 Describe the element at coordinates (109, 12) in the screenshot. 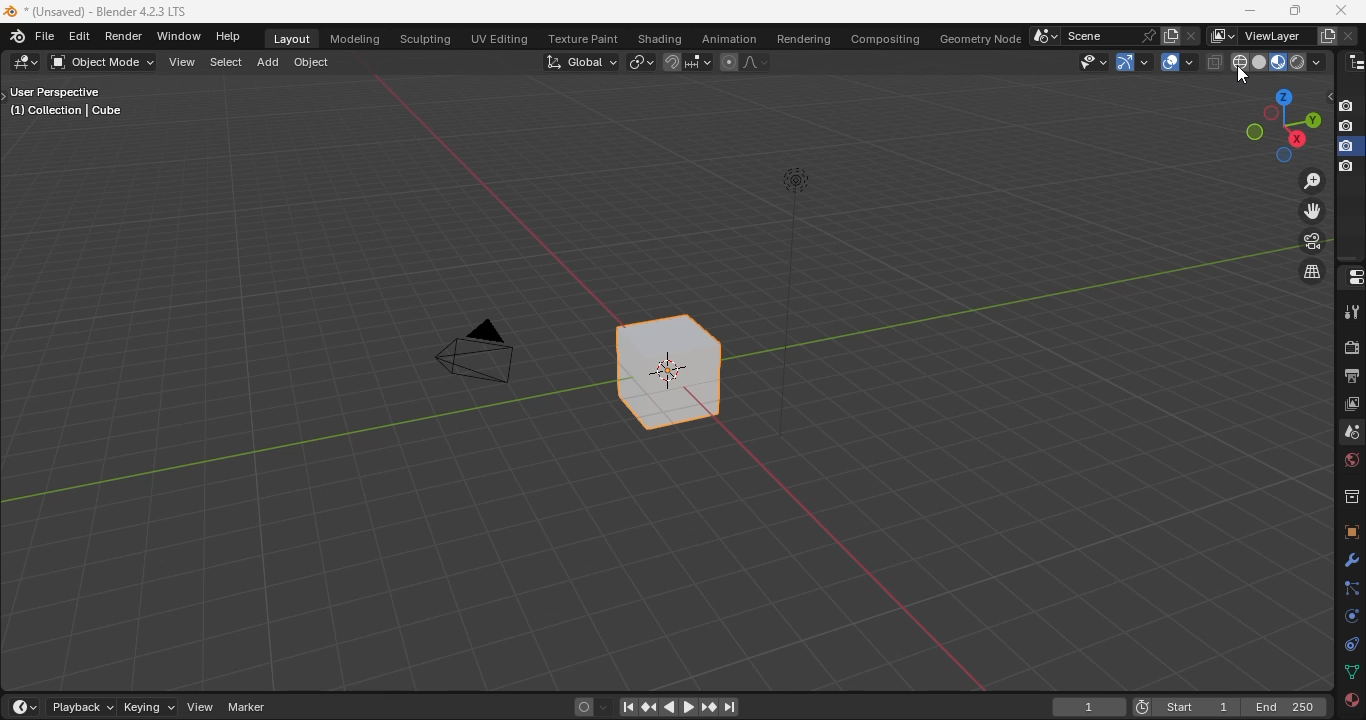

I see `*(unsaved) - Blender 4.23 LTS` at that location.